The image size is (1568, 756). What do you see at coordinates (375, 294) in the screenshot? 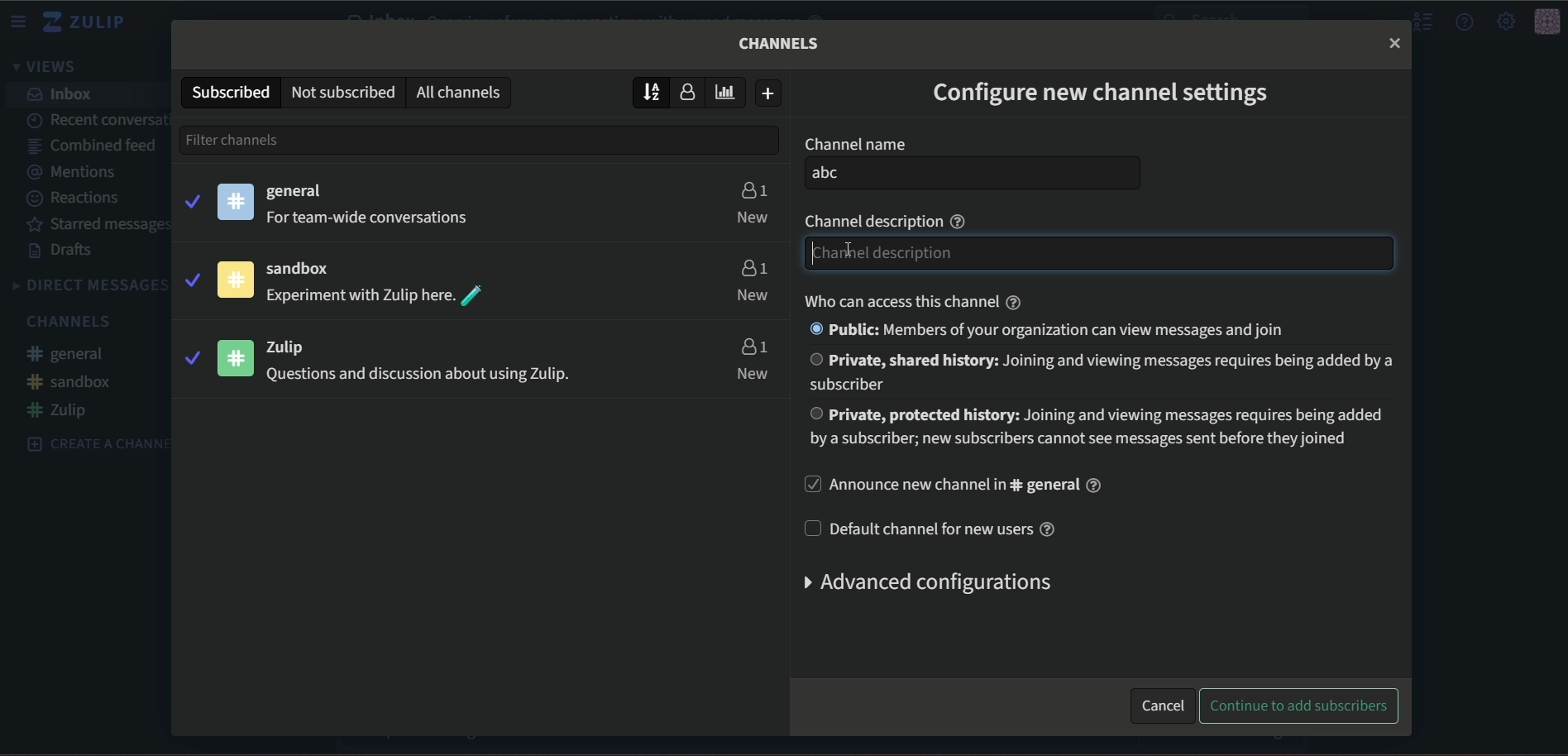
I see `Experiment with Zulip here.` at bounding box center [375, 294].